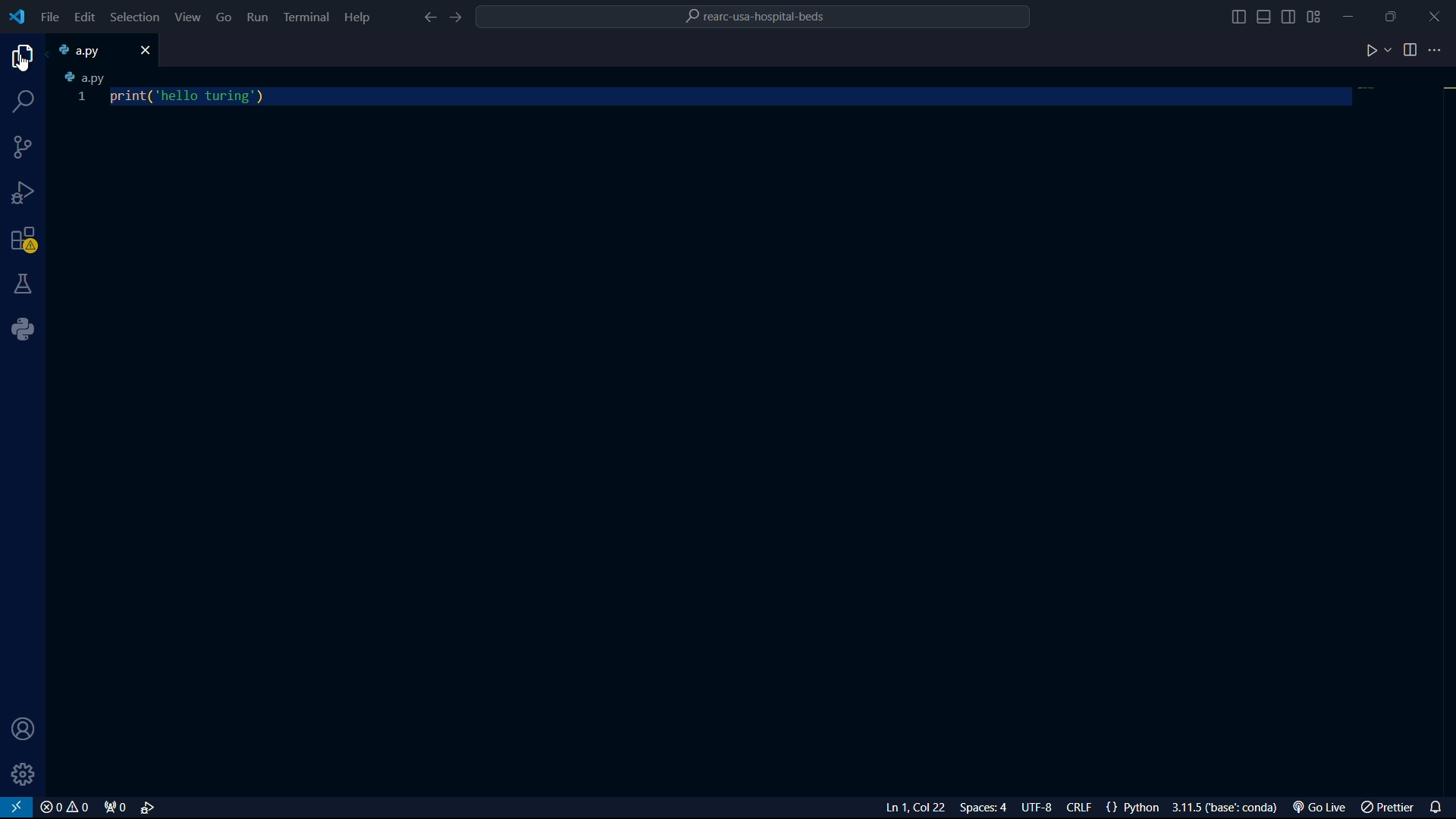 The image size is (1456, 819). What do you see at coordinates (218, 99) in the screenshot?
I see `code` at bounding box center [218, 99].